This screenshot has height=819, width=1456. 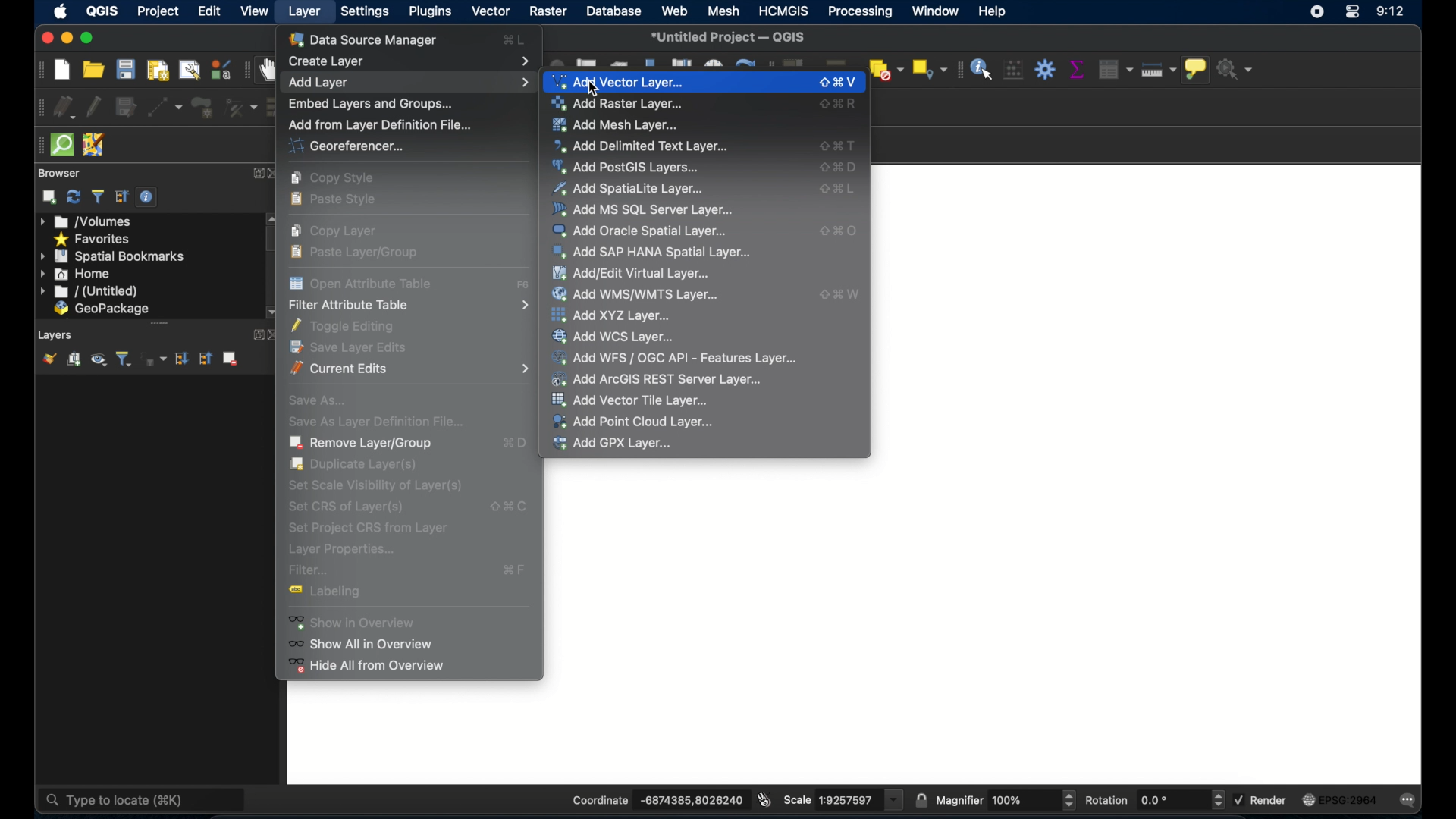 I want to click on Add/Edit Virtual Layer..., so click(x=709, y=271).